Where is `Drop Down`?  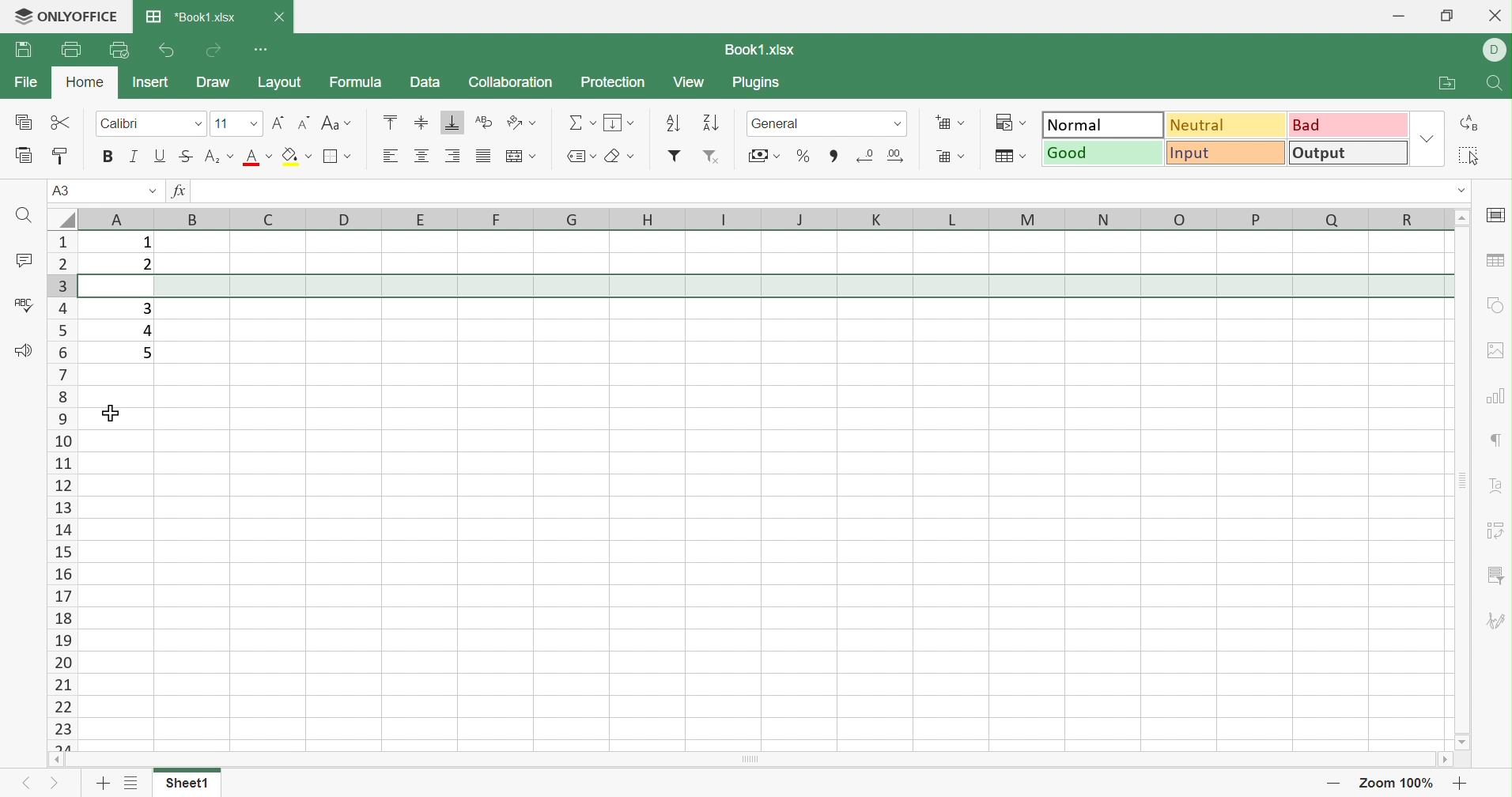 Drop Down is located at coordinates (899, 122).